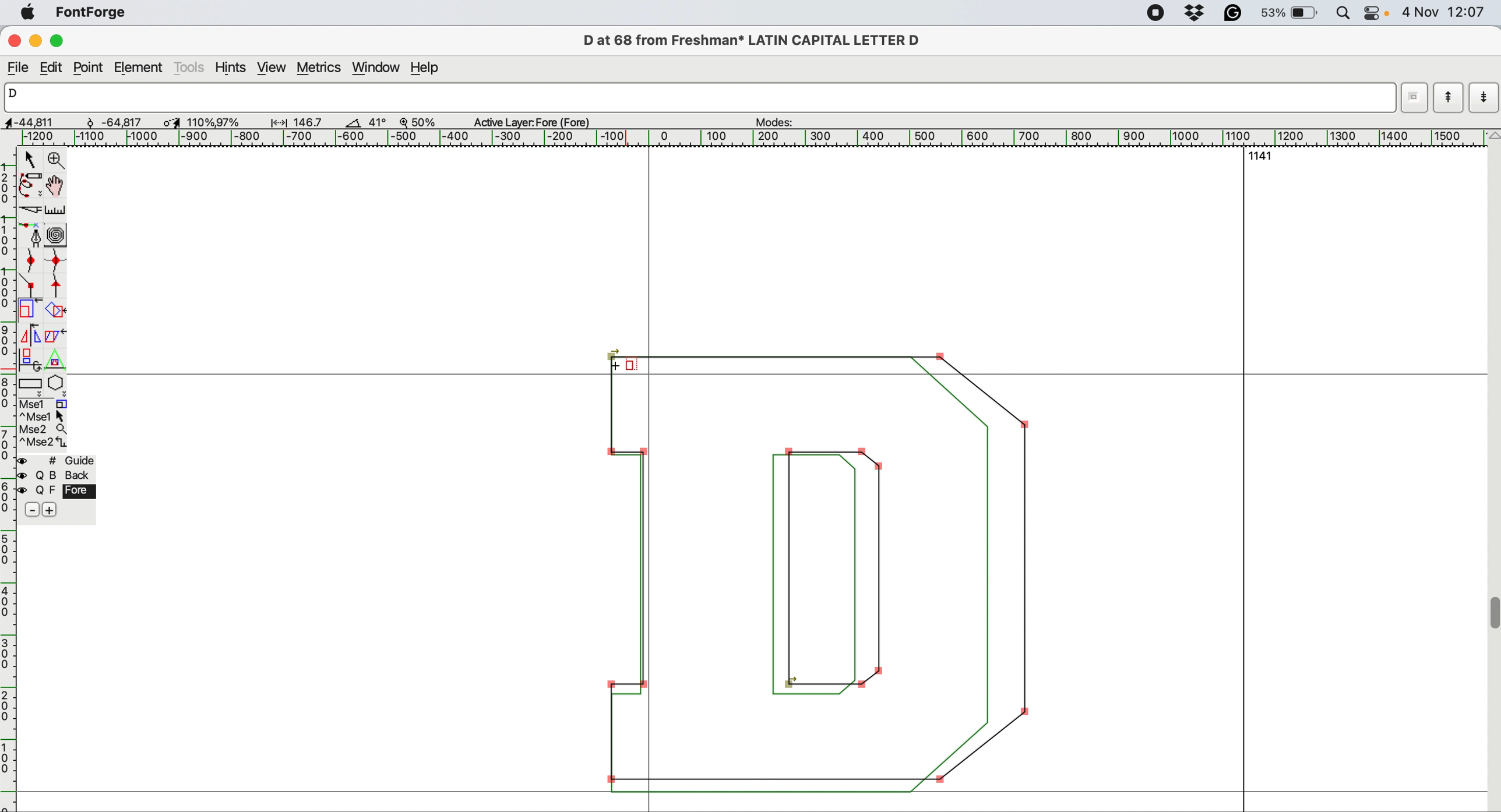 The height and width of the screenshot is (812, 1501). What do you see at coordinates (56, 160) in the screenshot?
I see `magnify` at bounding box center [56, 160].